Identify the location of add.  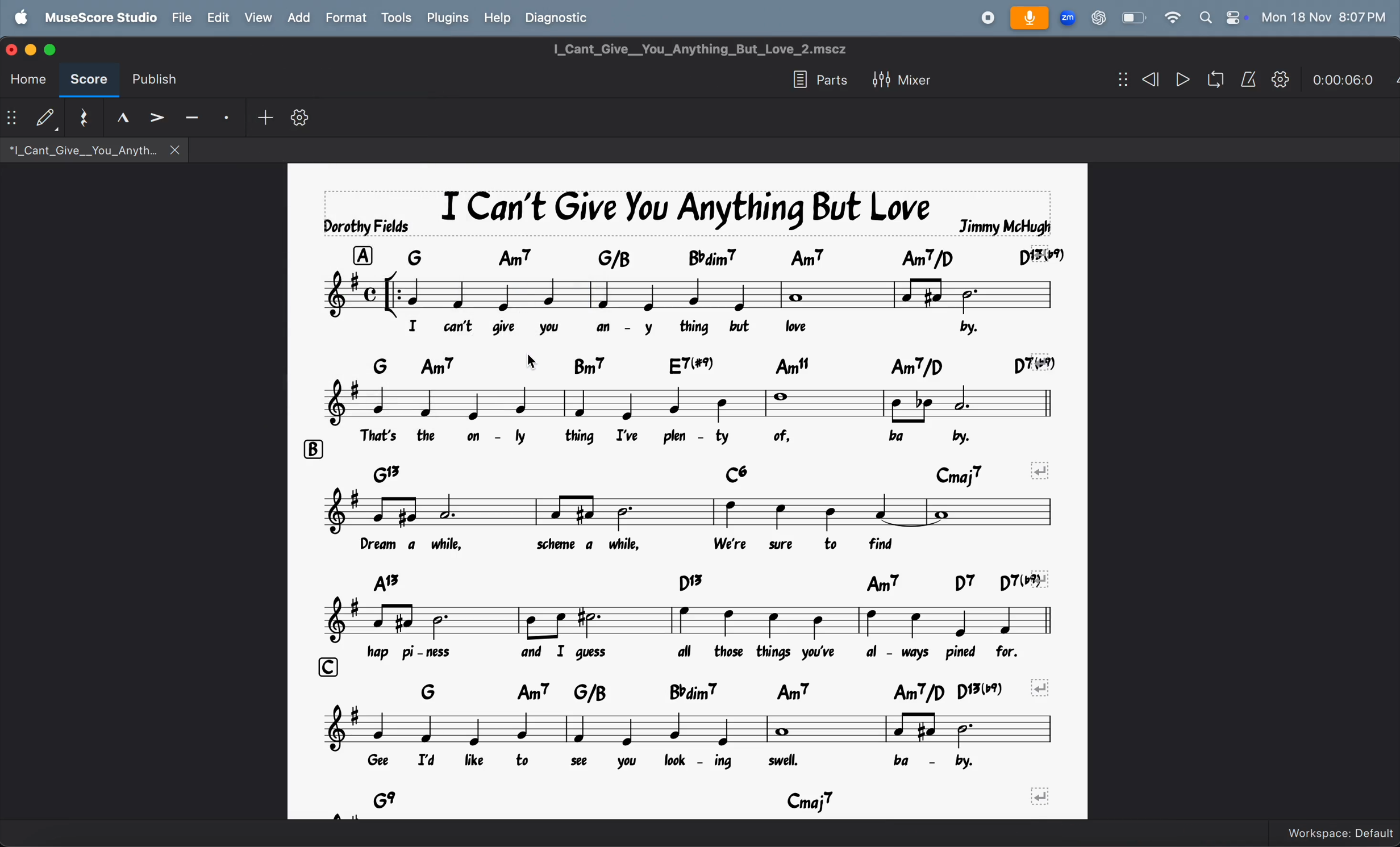
(298, 17).